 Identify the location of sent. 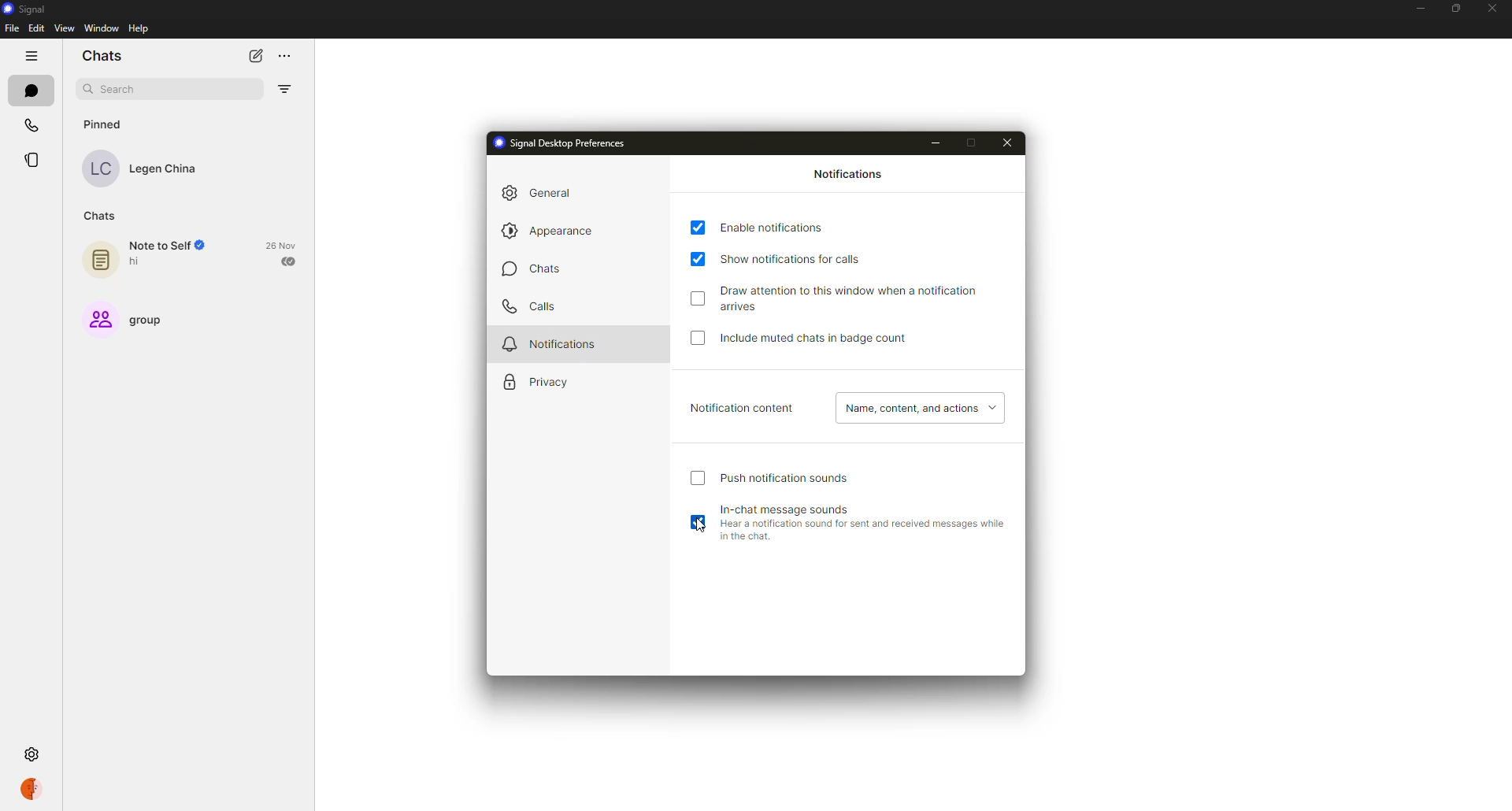
(290, 261).